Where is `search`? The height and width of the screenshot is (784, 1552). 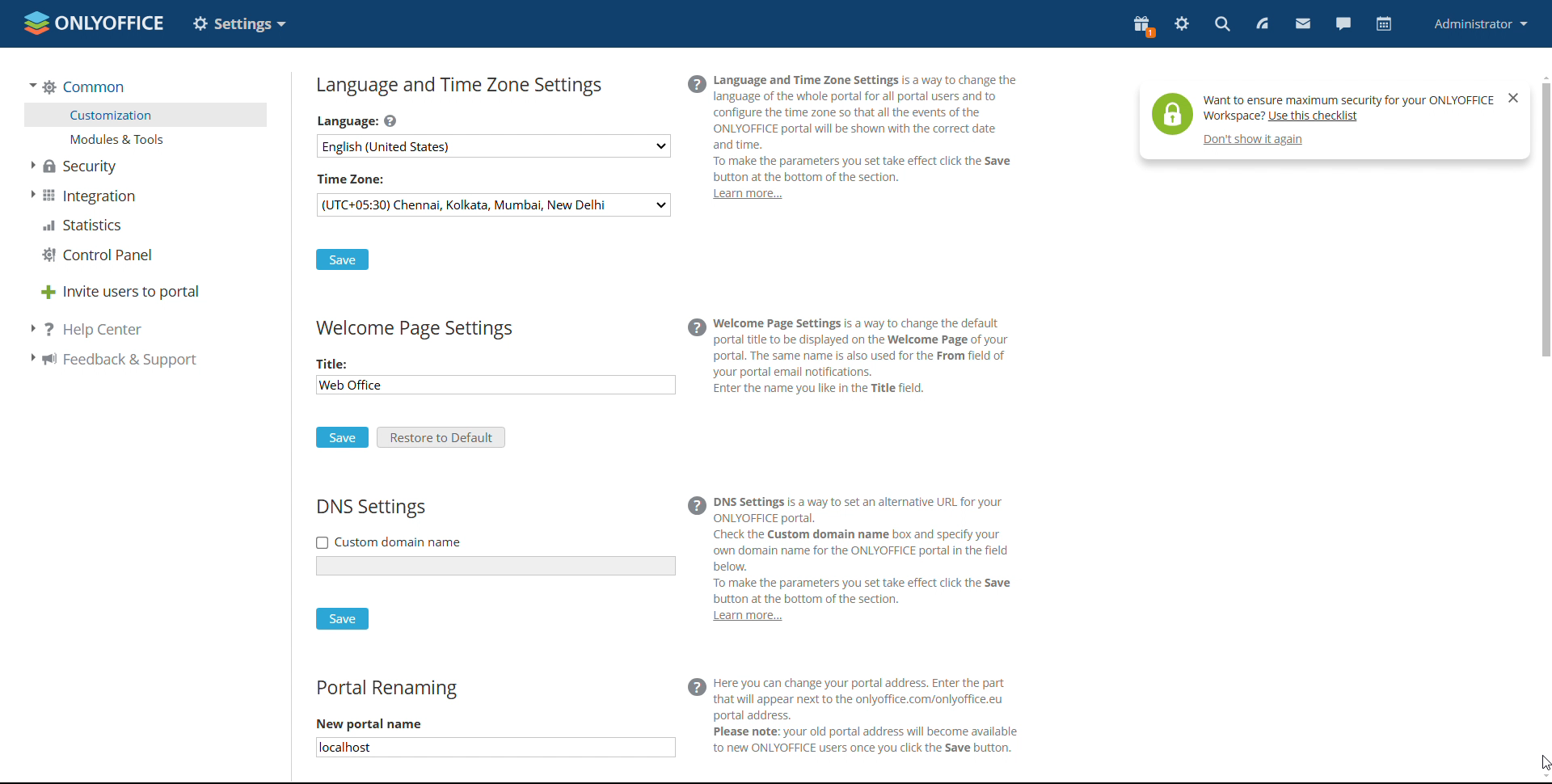 search is located at coordinates (1221, 23).